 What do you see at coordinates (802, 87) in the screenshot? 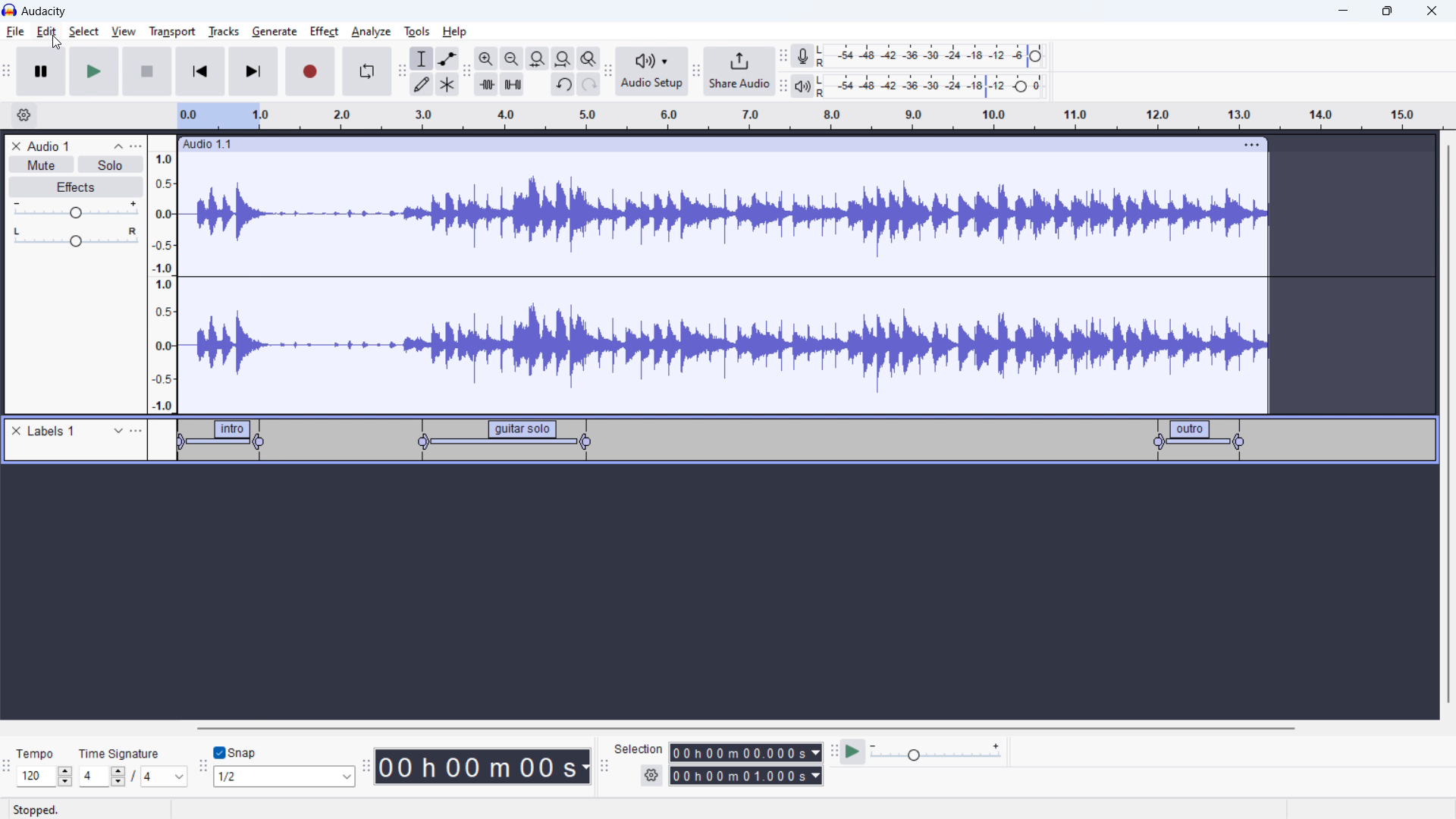
I see `playback meter` at bounding box center [802, 87].